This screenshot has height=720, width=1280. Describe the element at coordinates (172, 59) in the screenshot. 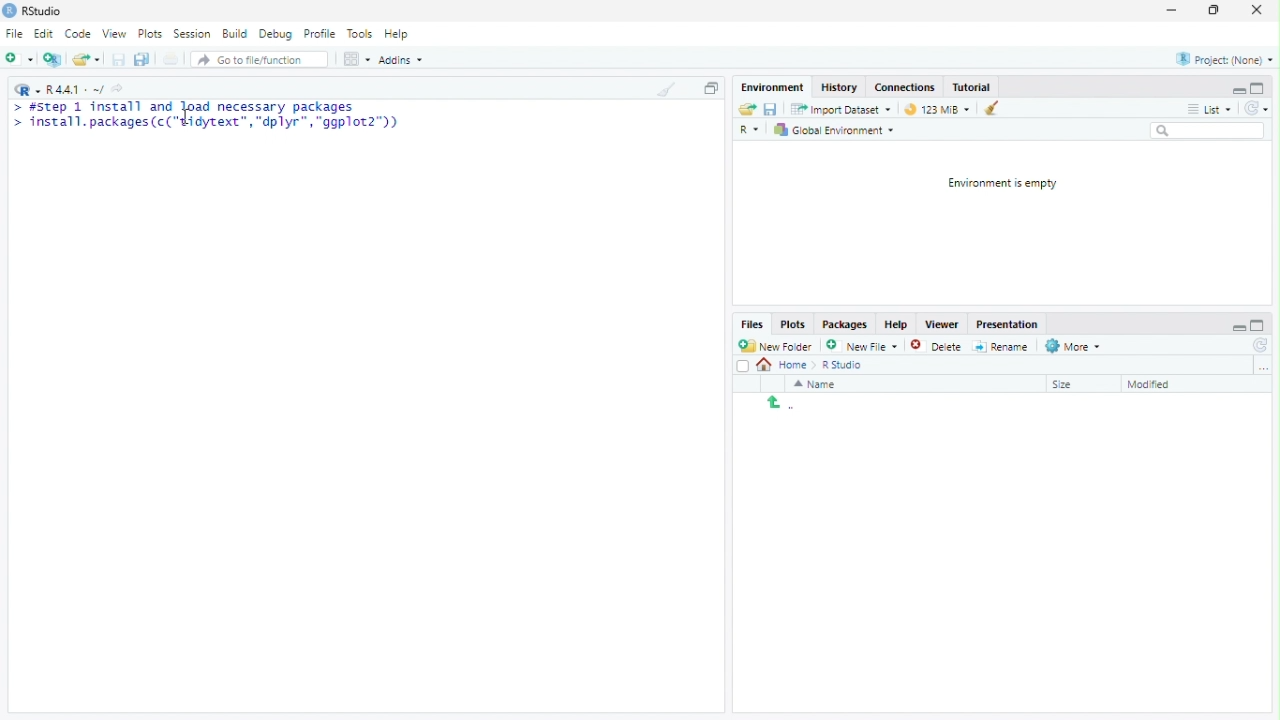

I see `Print` at that location.